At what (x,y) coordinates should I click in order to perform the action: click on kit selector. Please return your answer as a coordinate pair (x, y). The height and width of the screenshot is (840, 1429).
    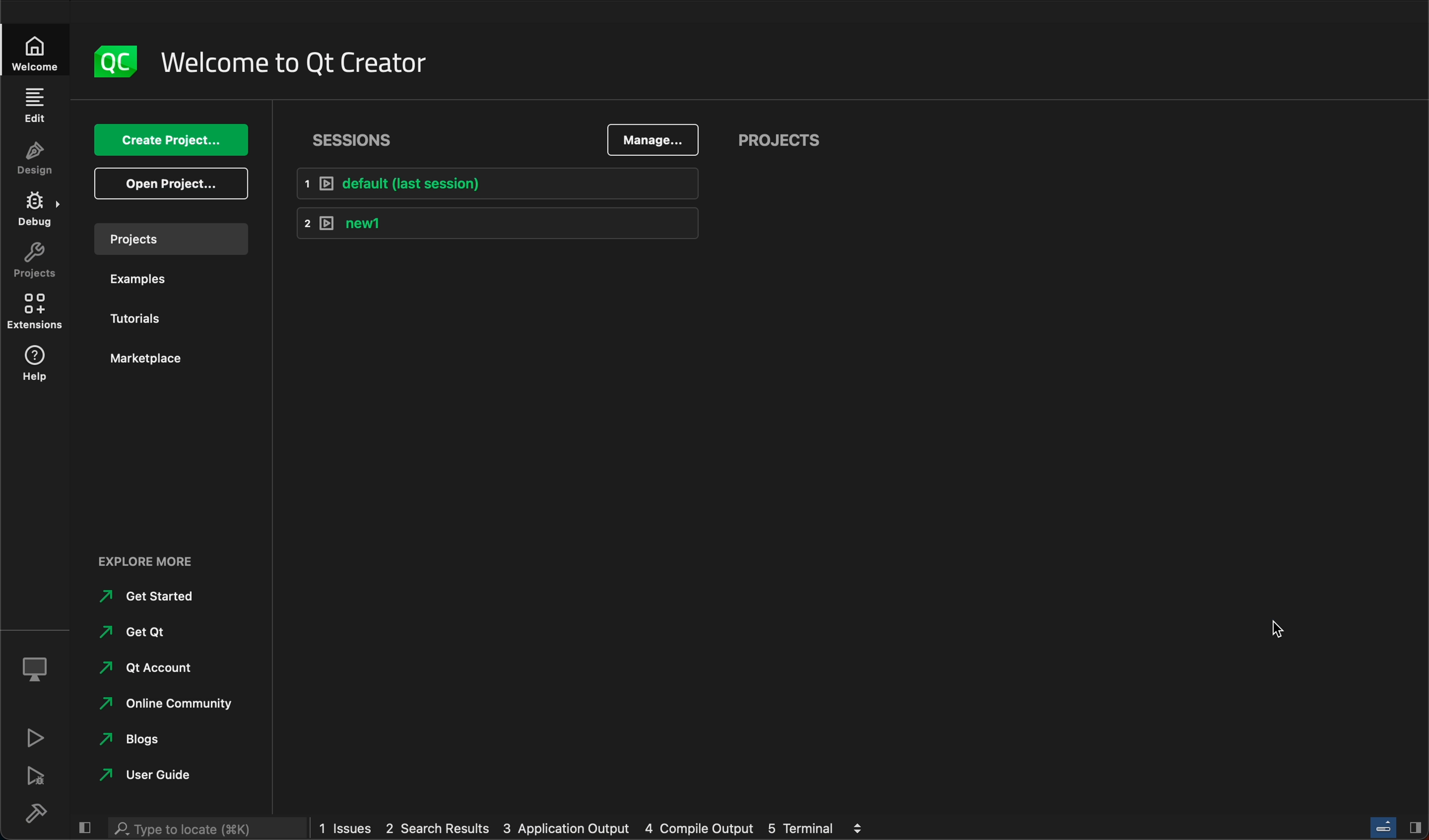
    Looking at the image, I should click on (36, 670).